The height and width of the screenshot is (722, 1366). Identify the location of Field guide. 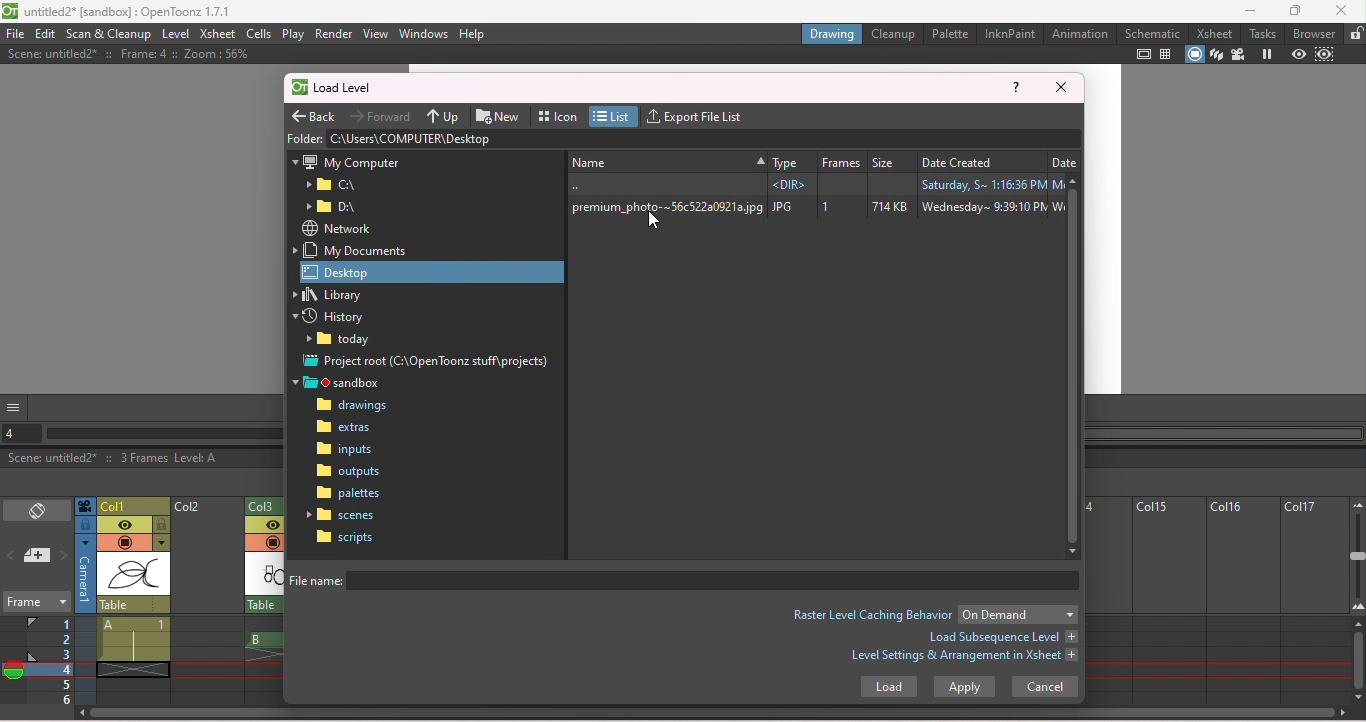
(1169, 54).